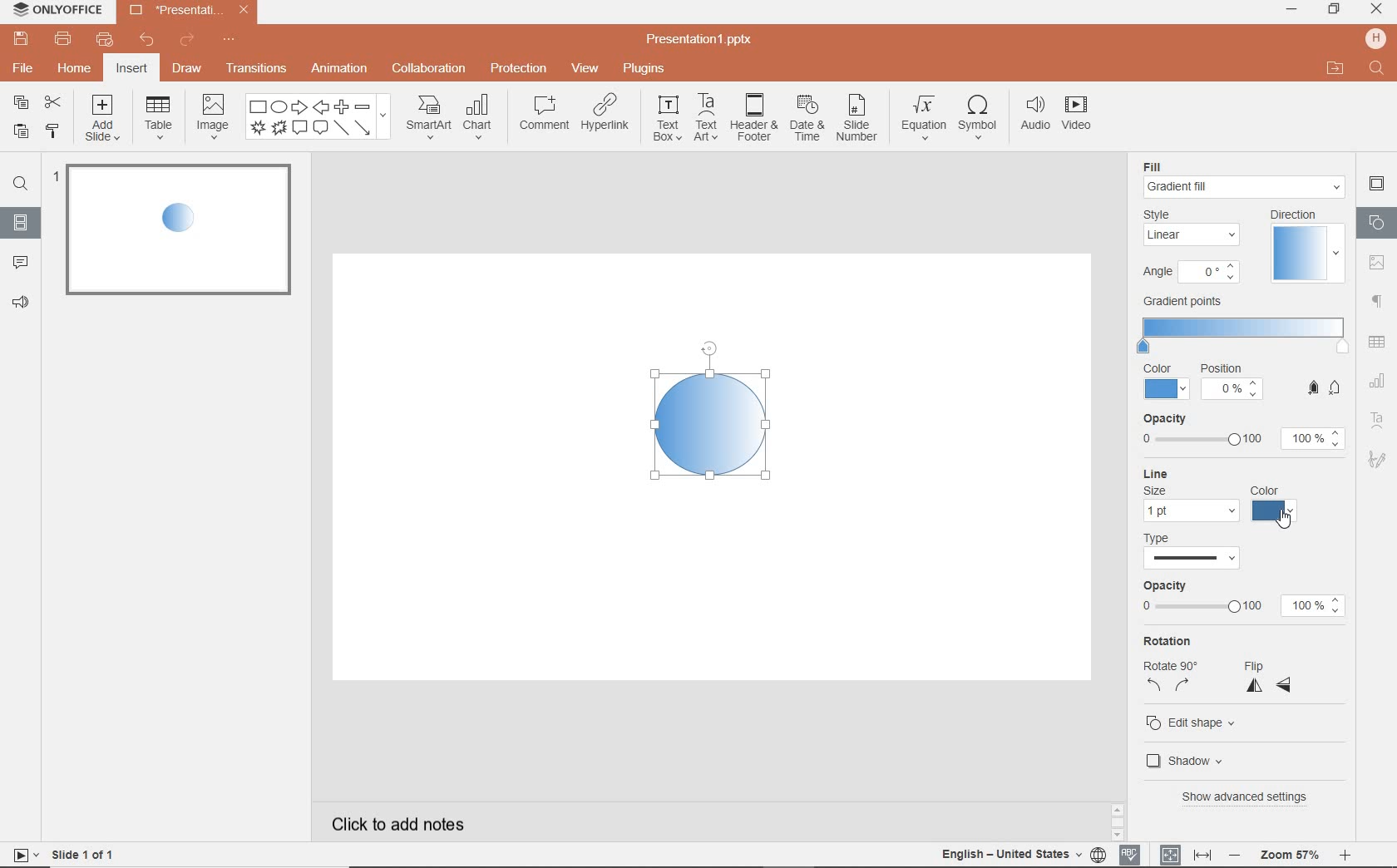  What do you see at coordinates (1033, 116) in the screenshot?
I see `audio` at bounding box center [1033, 116].